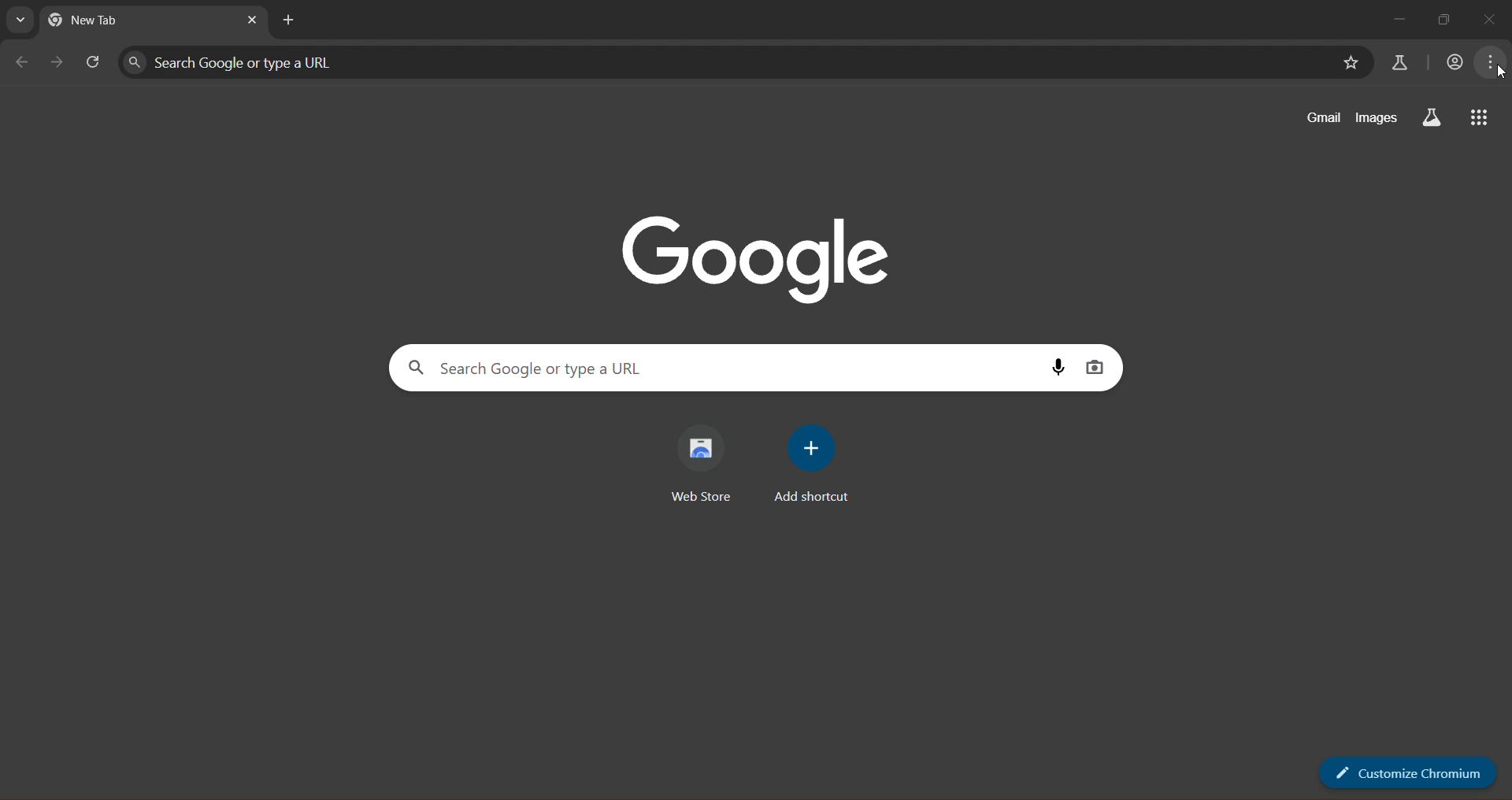 This screenshot has height=800, width=1512. I want to click on go back one page, so click(20, 61).